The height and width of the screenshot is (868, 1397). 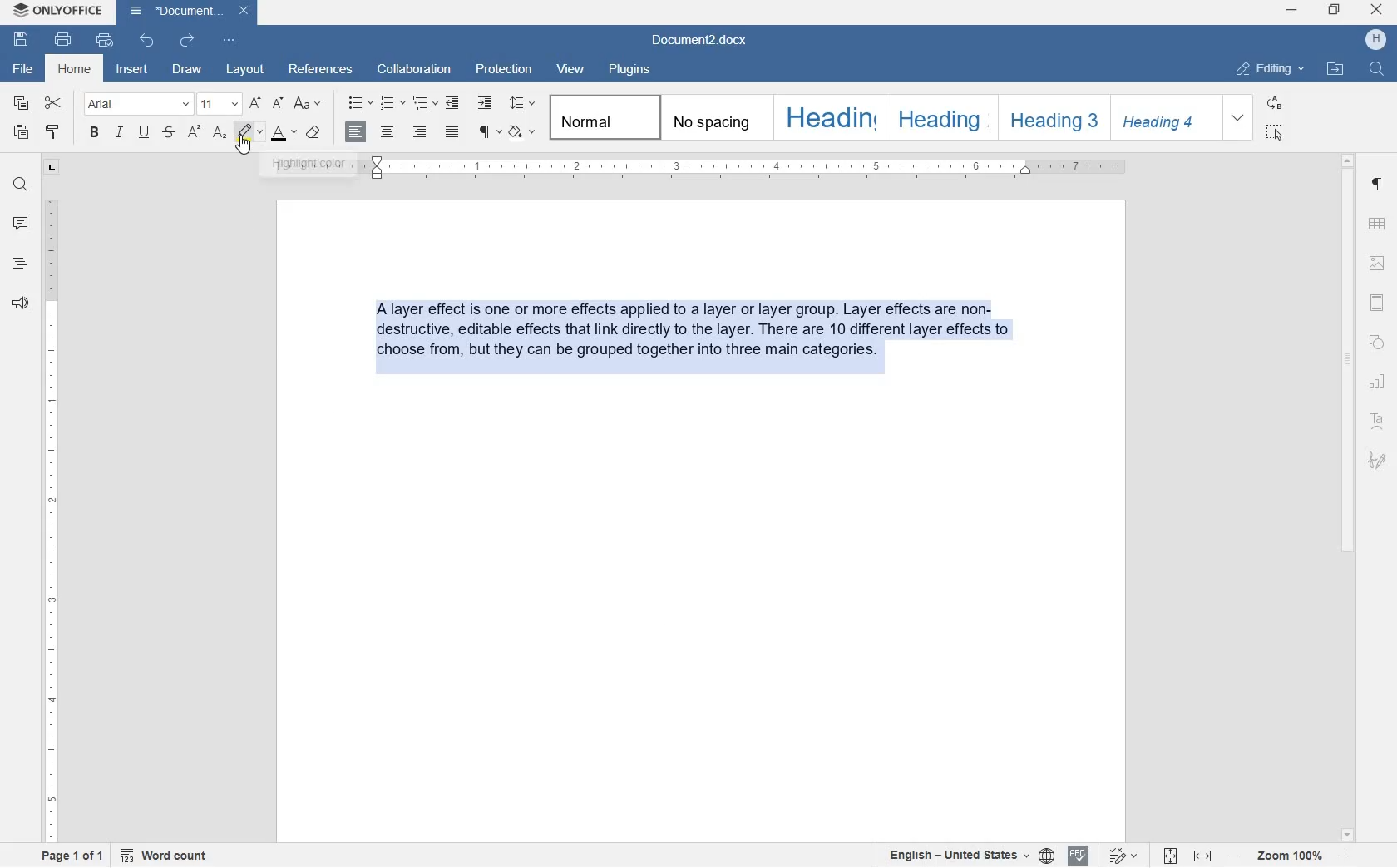 What do you see at coordinates (194, 132) in the screenshot?
I see `SUPERSCRIPT` at bounding box center [194, 132].